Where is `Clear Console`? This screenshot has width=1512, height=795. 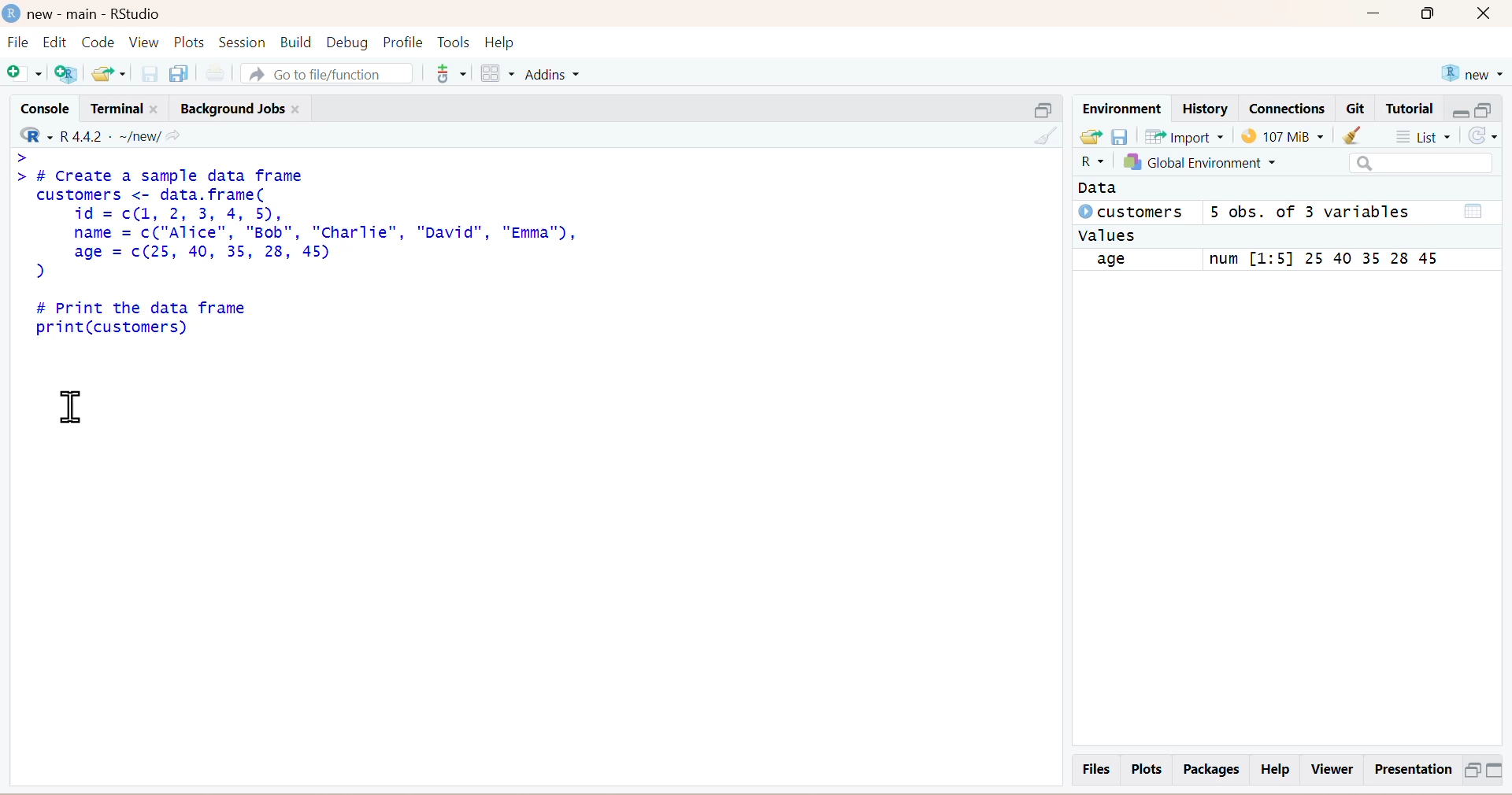
Clear Console is located at coordinates (1042, 135).